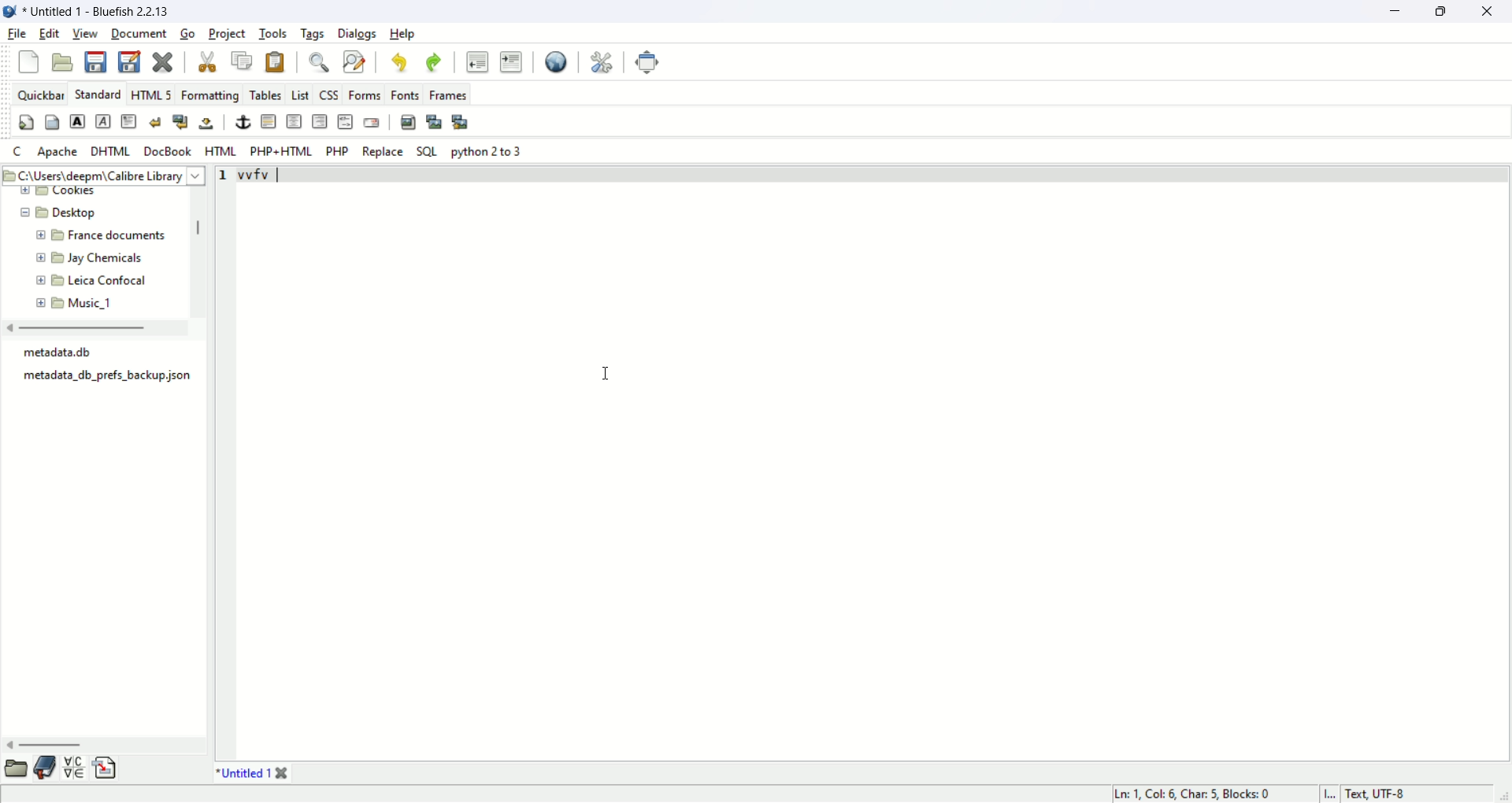 Image resolution: width=1512 pixels, height=803 pixels. Describe the element at coordinates (1189, 792) in the screenshot. I see `Ln: 1, Col 6, Char: 5, Blocks: 0` at that location.